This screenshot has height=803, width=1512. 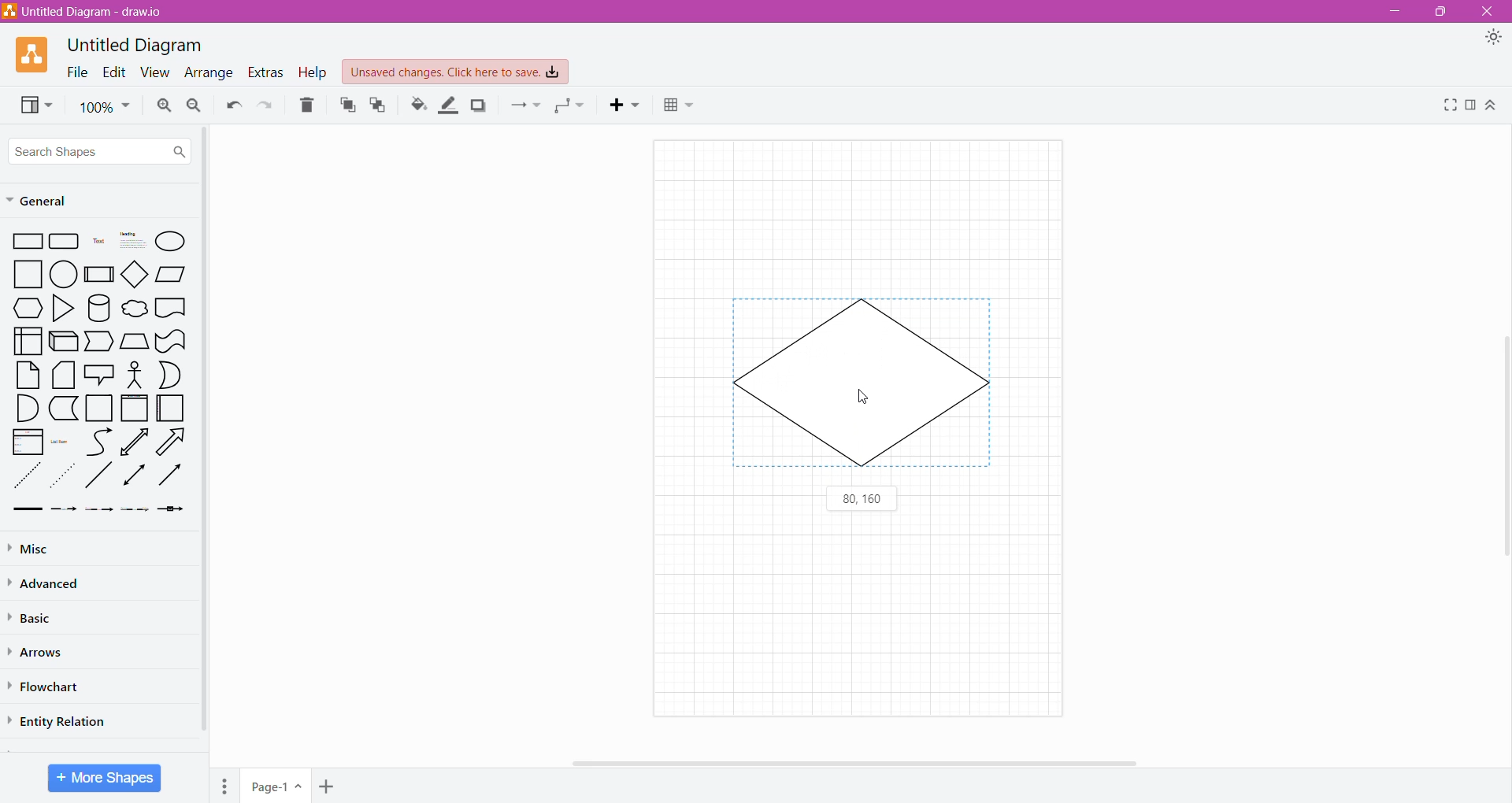 What do you see at coordinates (62, 342) in the screenshot?
I see `Cube` at bounding box center [62, 342].